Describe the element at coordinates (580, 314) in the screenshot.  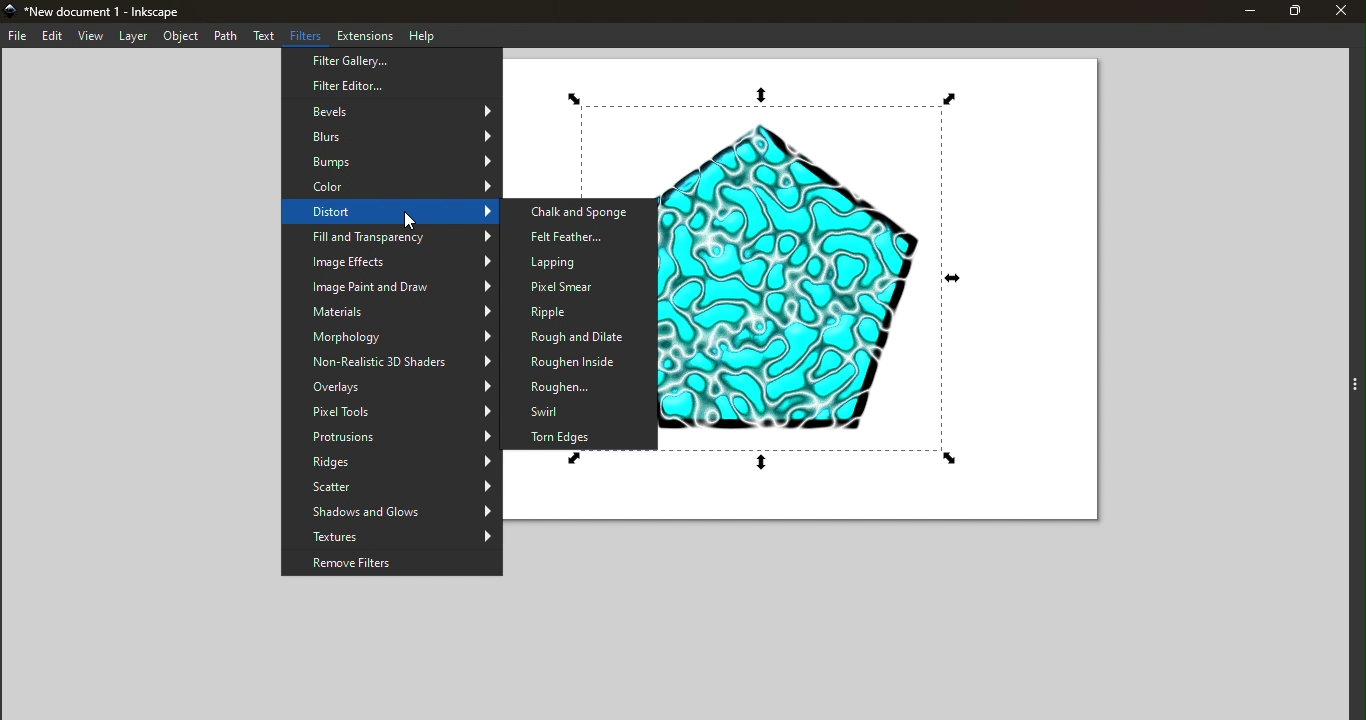
I see `Ripple` at that location.